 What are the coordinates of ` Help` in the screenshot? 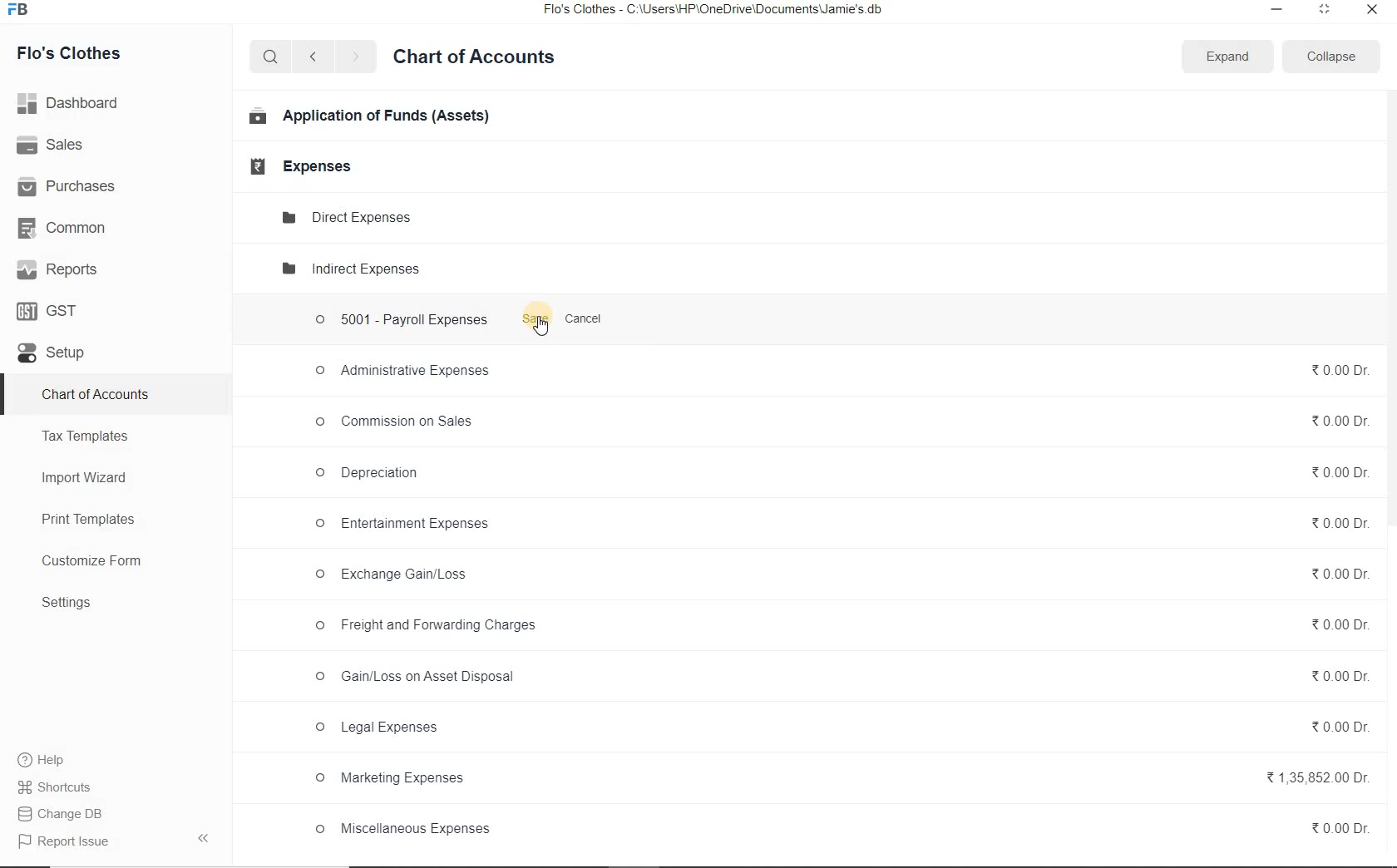 It's located at (51, 760).